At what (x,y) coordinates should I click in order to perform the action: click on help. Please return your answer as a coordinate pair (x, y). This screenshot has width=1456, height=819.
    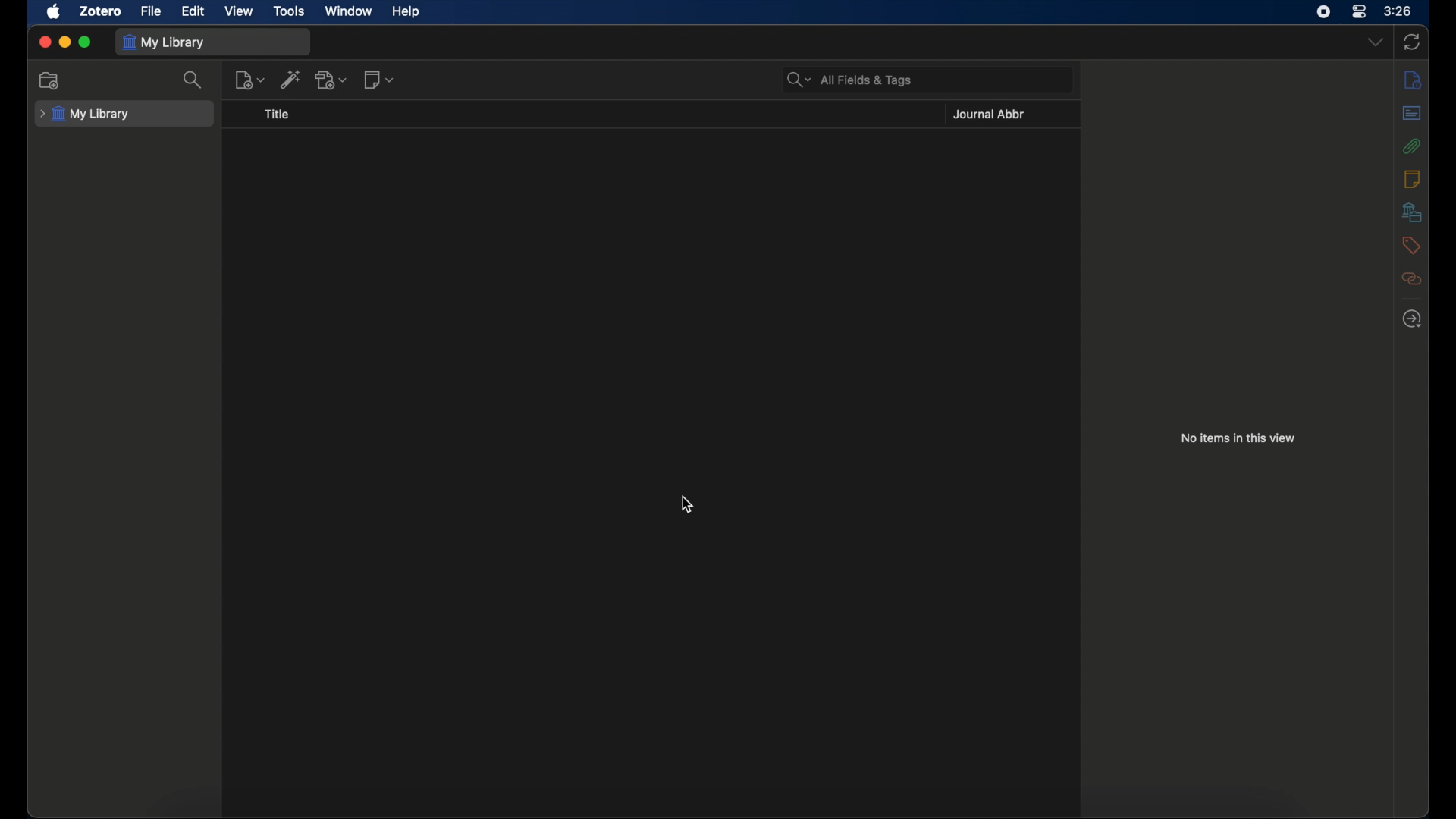
    Looking at the image, I should click on (406, 12).